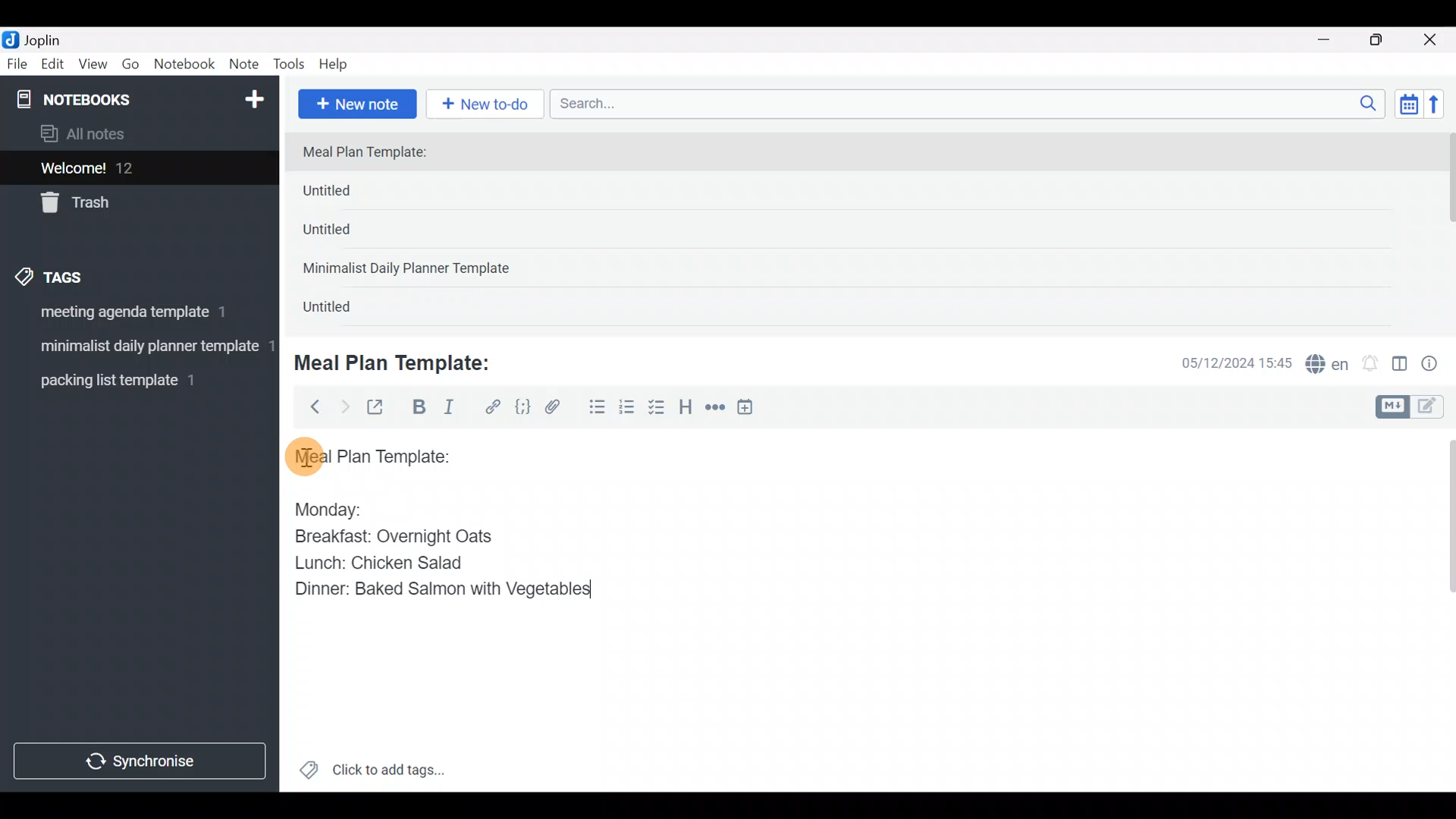  Describe the element at coordinates (1332, 38) in the screenshot. I see `Minimize` at that location.